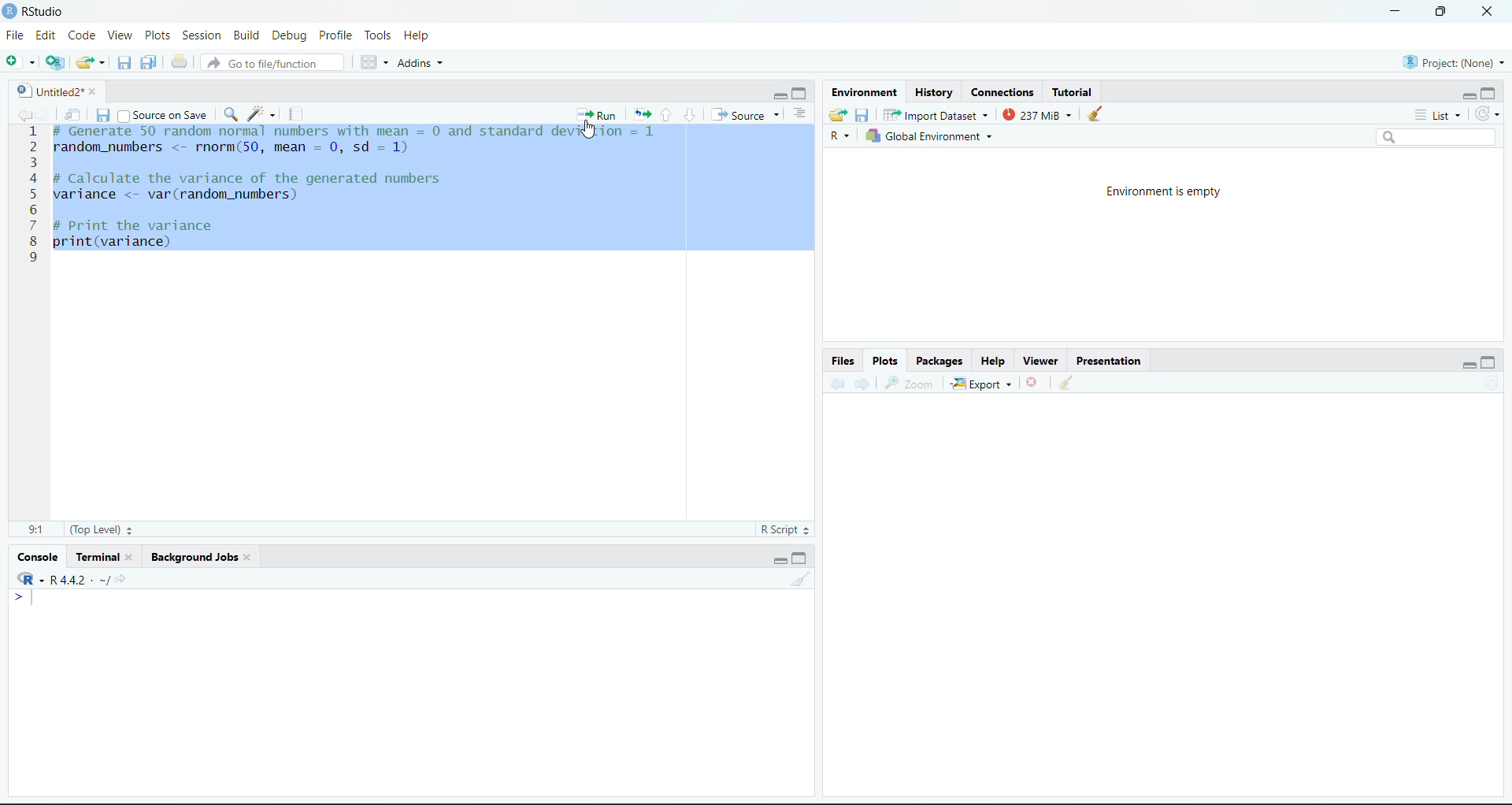 The height and width of the screenshot is (805, 1512). What do you see at coordinates (44, 114) in the screenshot?
I see `forward` at bounding box center [44, 114].